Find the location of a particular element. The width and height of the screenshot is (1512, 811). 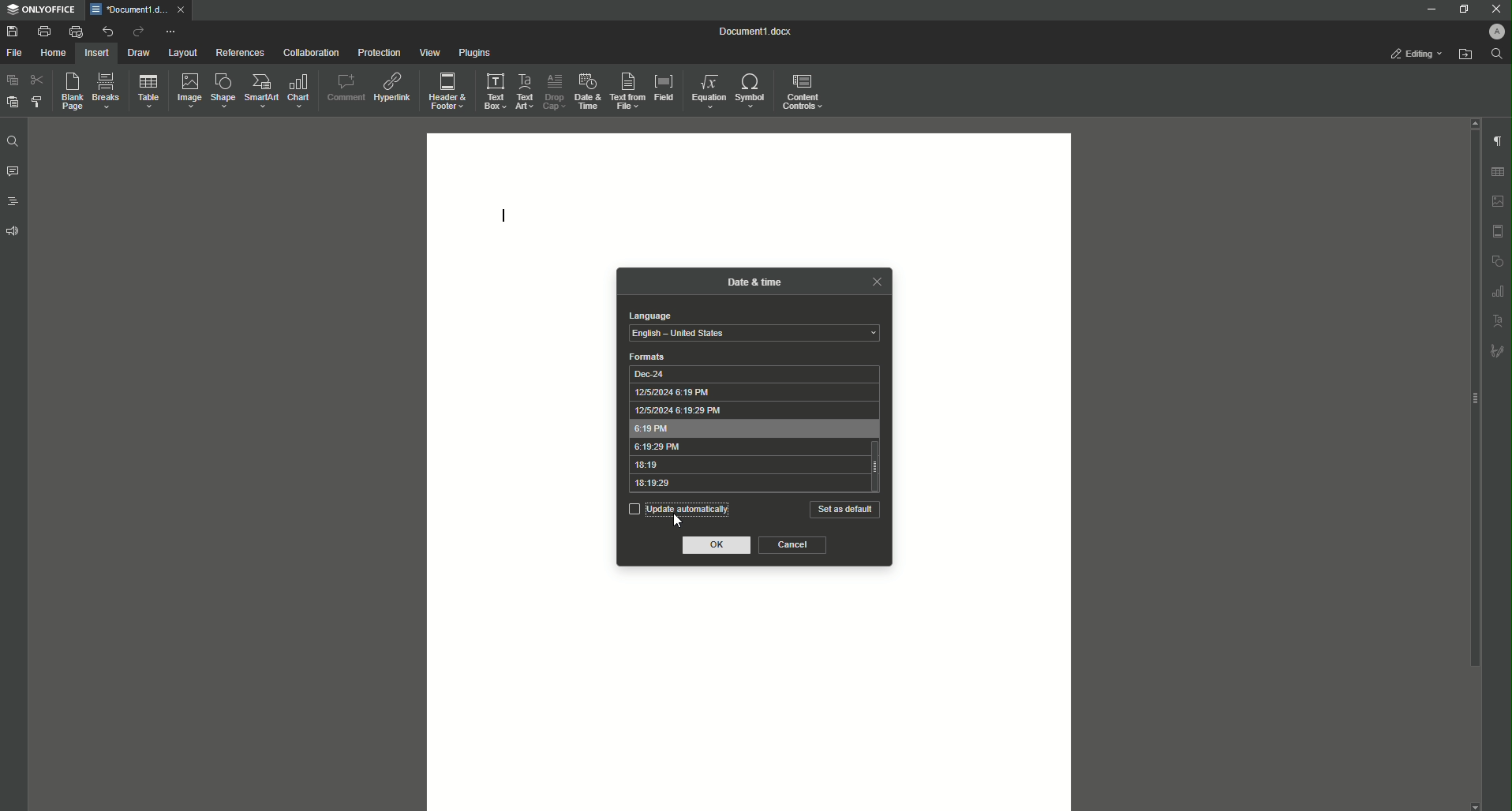

Choose Style is located at coordinates (37, 102).